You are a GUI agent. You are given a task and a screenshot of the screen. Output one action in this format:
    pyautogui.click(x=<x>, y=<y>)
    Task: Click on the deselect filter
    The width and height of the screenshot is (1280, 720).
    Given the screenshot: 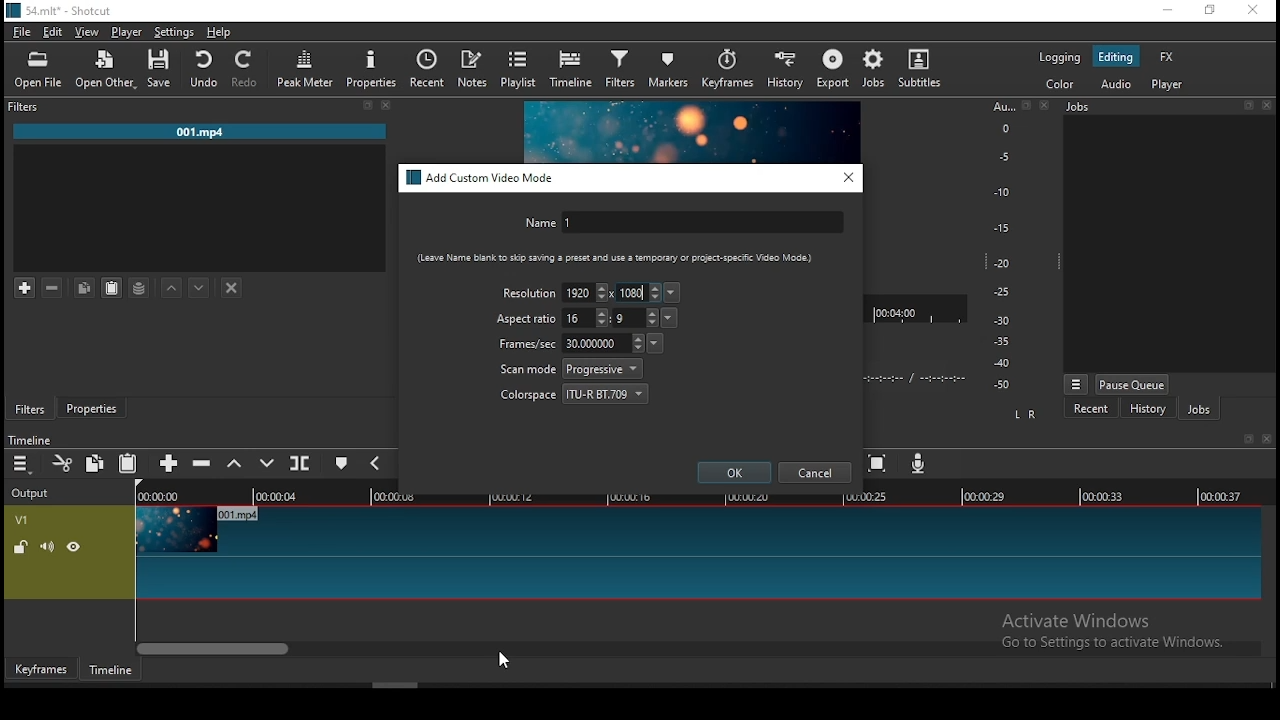 What is the action you would take?
    pyautogui.click(x=233, y=289)
    